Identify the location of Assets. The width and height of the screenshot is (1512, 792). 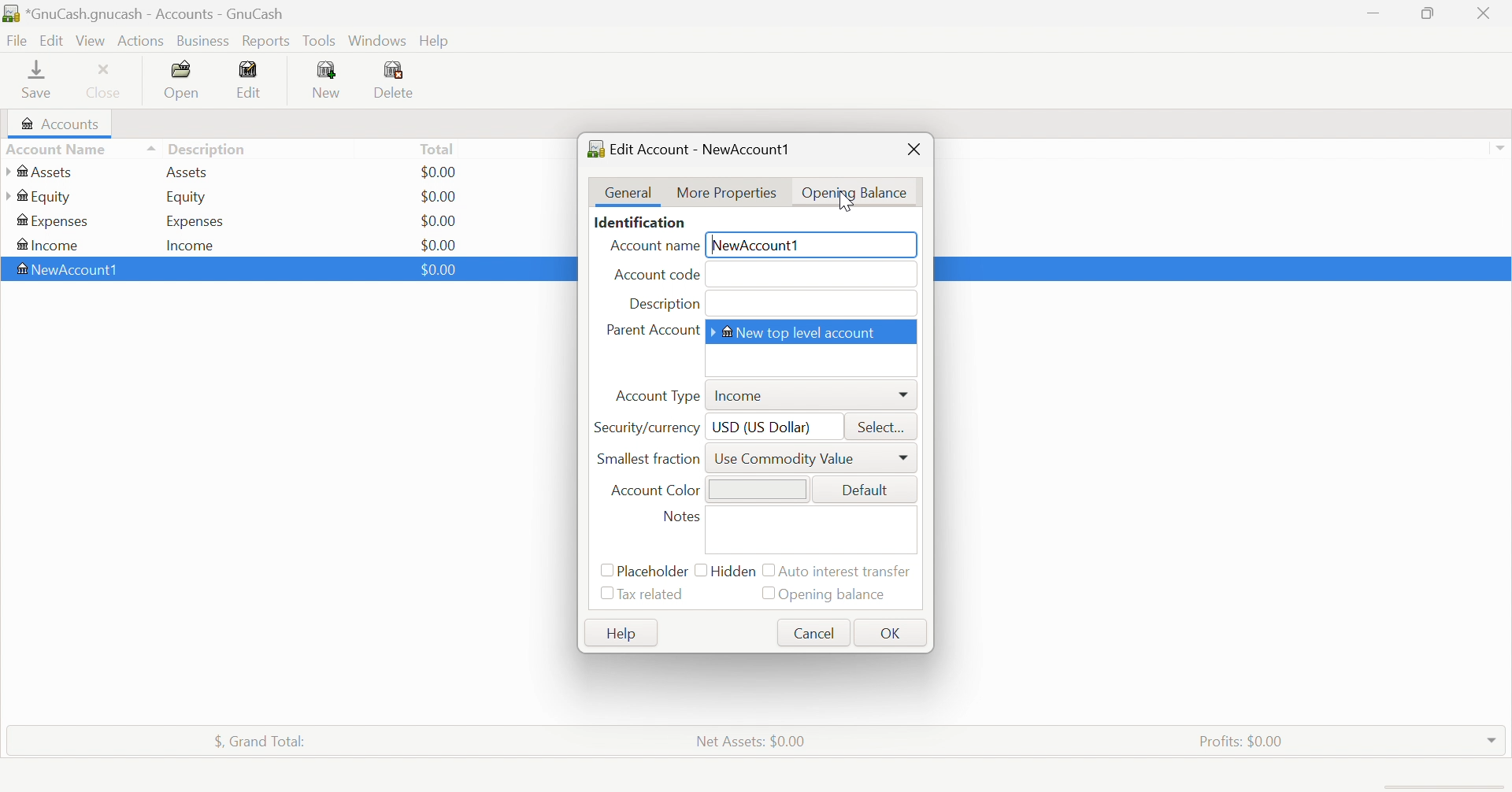
(43, 172).